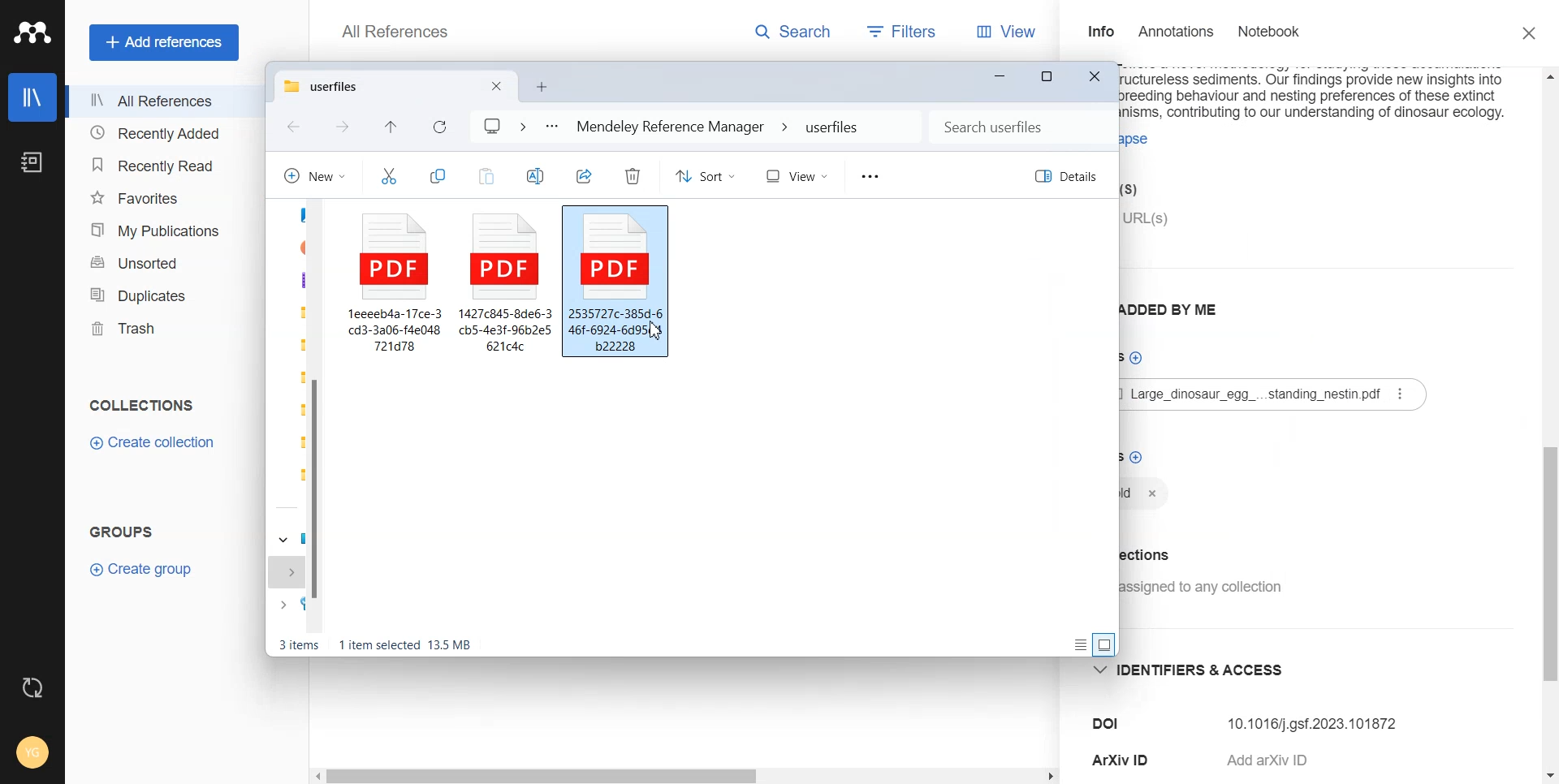 This screenshot has height=784, width=1559. What do you see at coordinates (634, 176) in the screenshot?
I see `Delete` at bounding box center [634, 176].